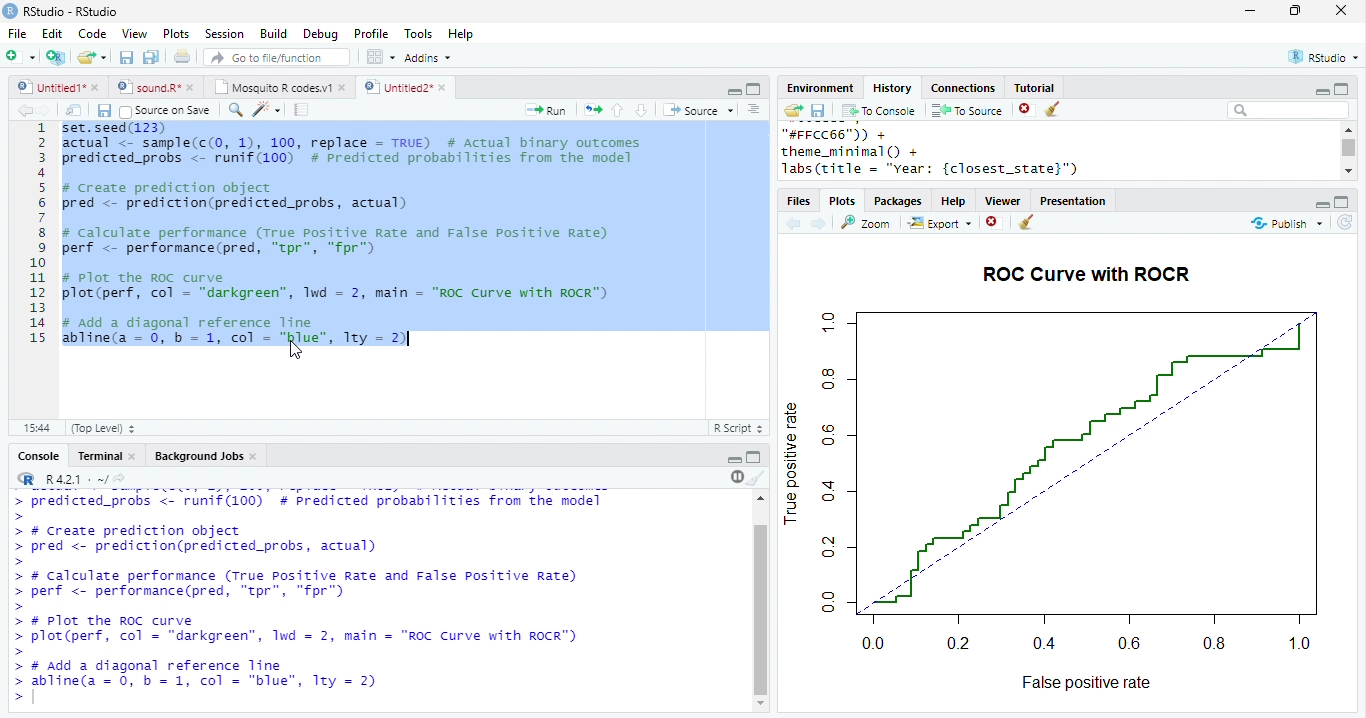  I want to click on minimize, so click(734, 460).